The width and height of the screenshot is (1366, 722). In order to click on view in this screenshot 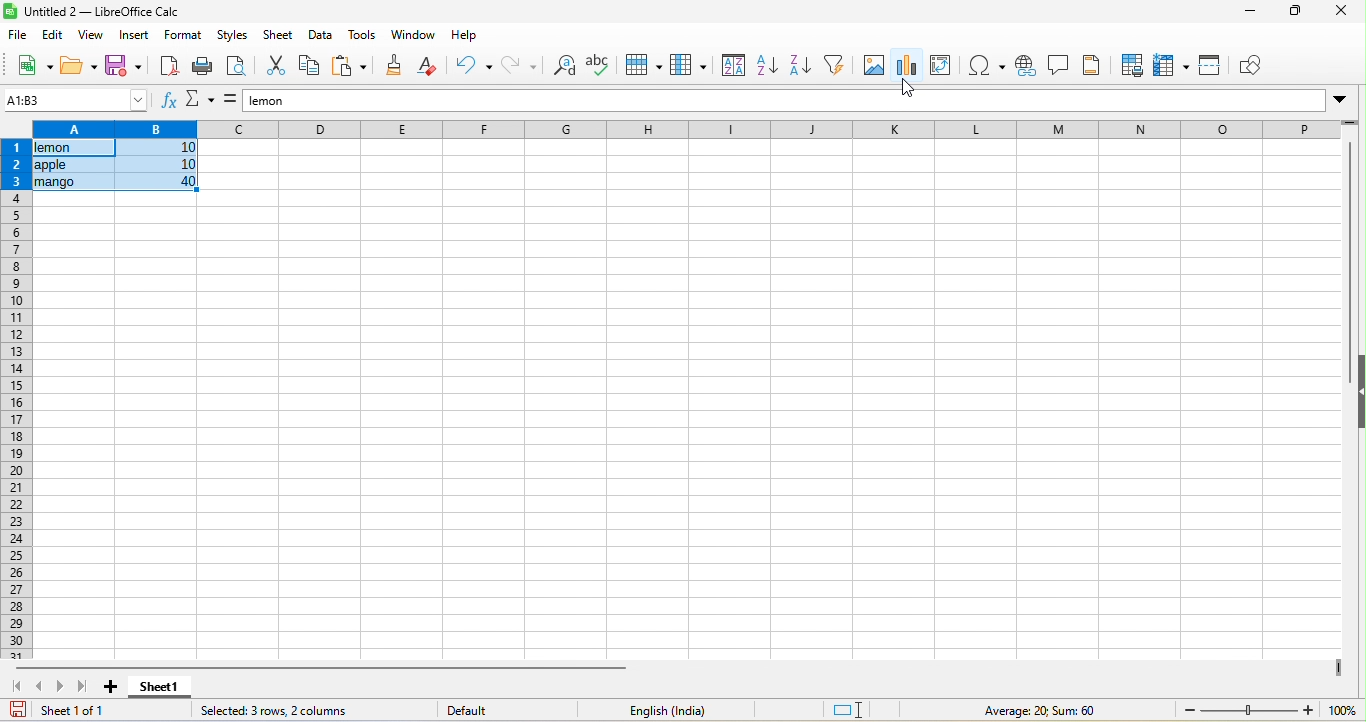, I will do `click(93, 37)`.